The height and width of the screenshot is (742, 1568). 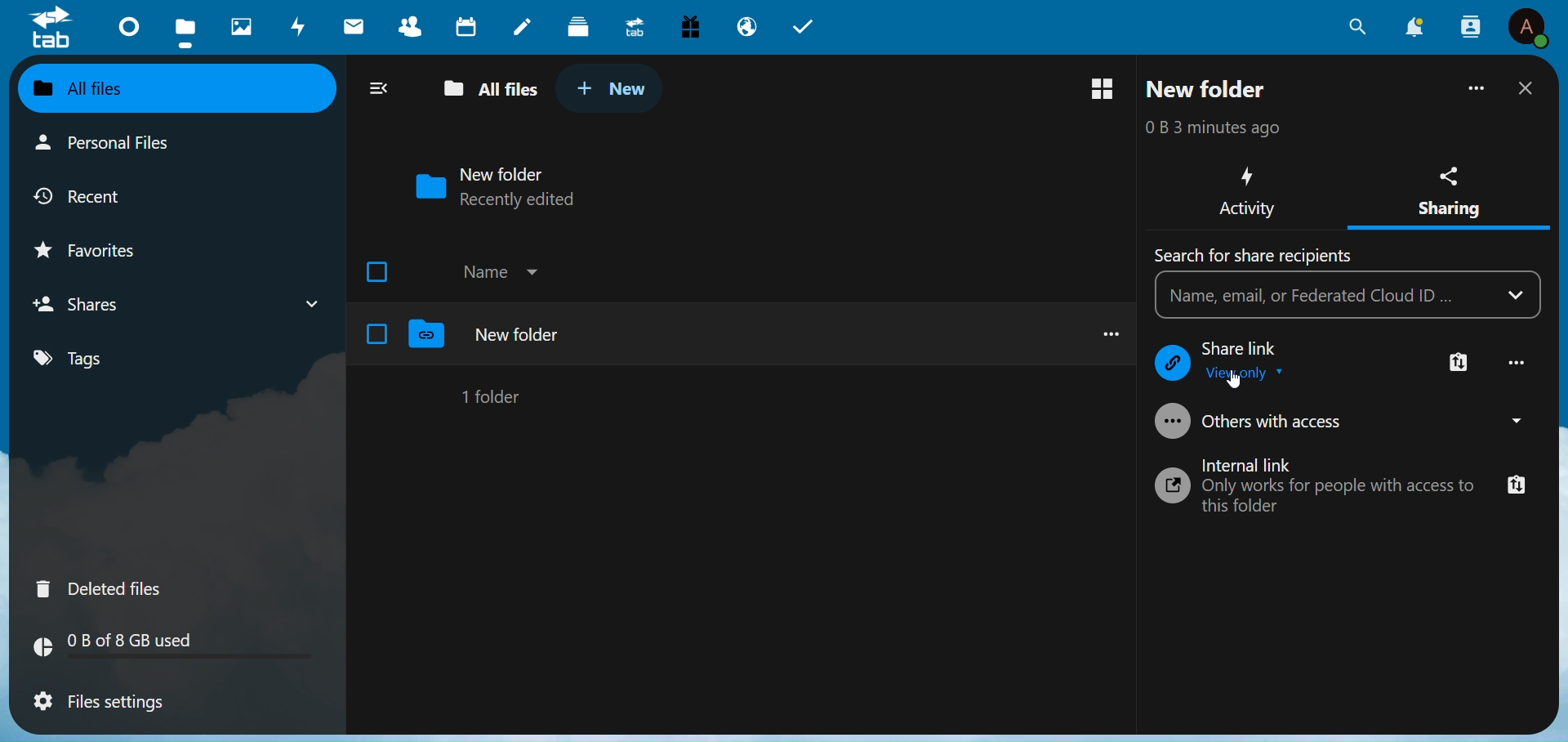 I want to click on Activity, so click(x=295, y=27).